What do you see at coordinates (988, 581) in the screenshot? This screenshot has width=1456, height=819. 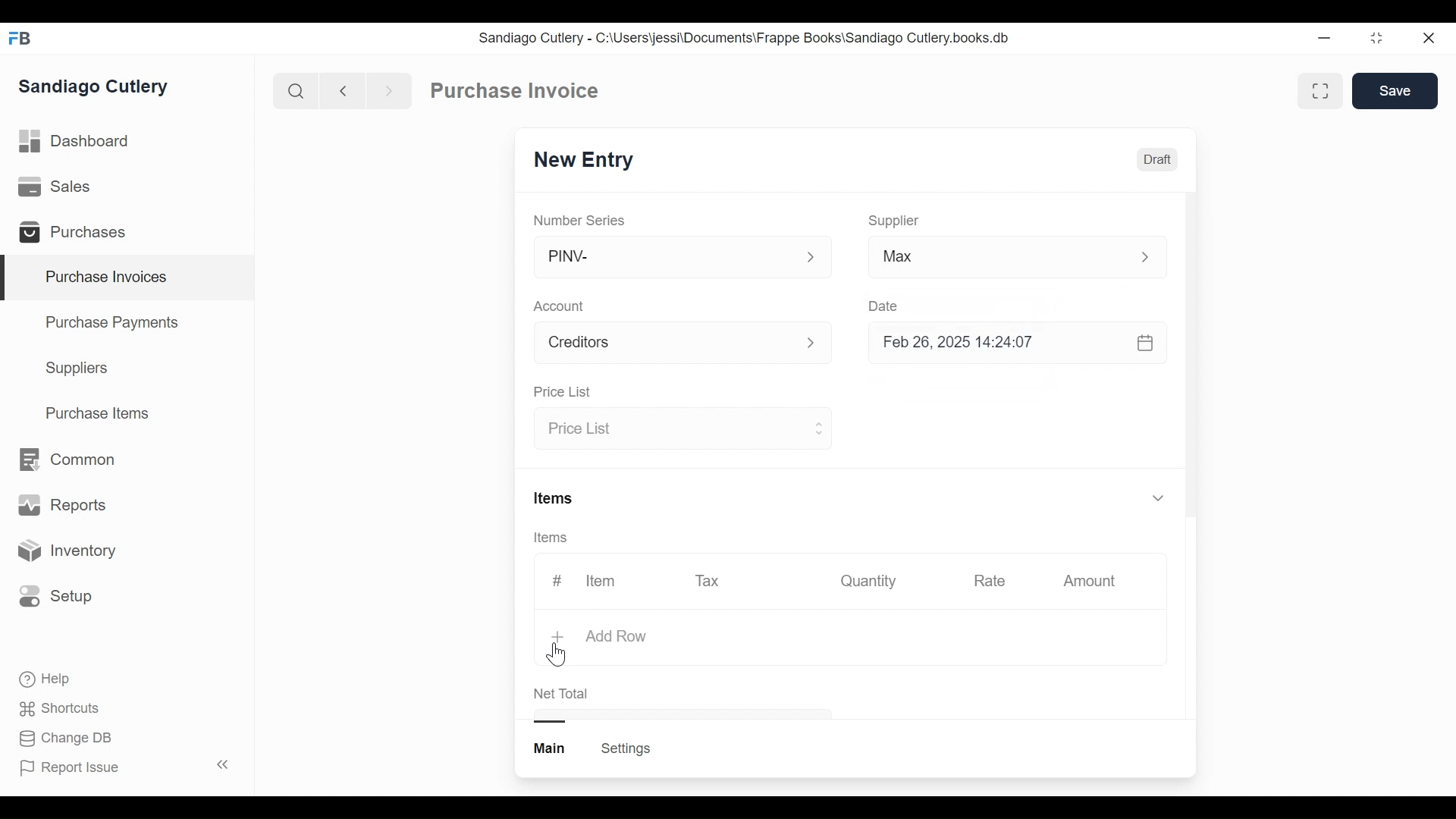 I see `Rate` at bounding box center [988, 581].